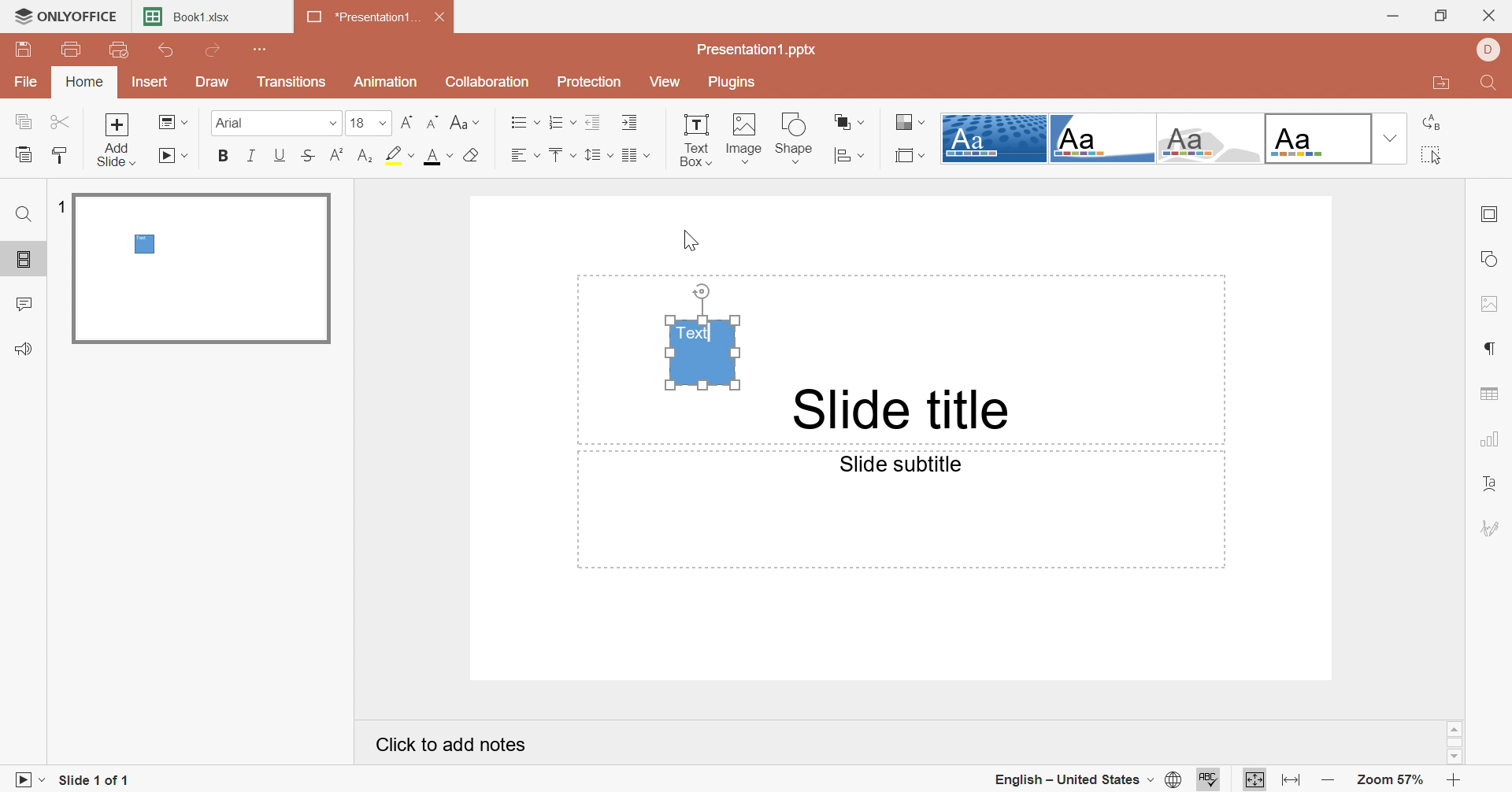 The height and width of the screenshot is (792, 1512). What do you see at coordinates (26, 50) in the screenshot?
I see `Save` at bounding box center [26, 50].